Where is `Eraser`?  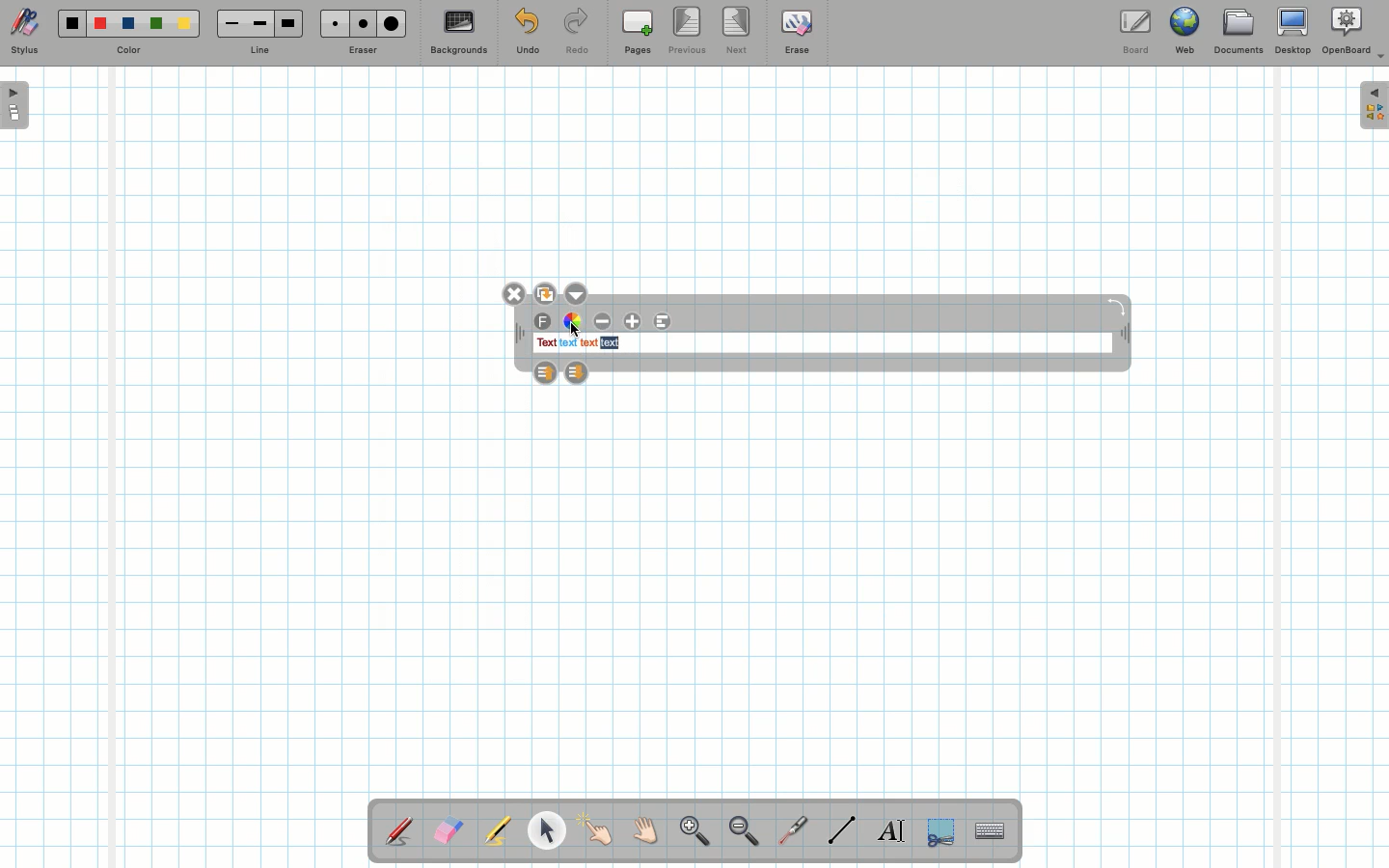
Eraser is located at coordinates (362, 52).